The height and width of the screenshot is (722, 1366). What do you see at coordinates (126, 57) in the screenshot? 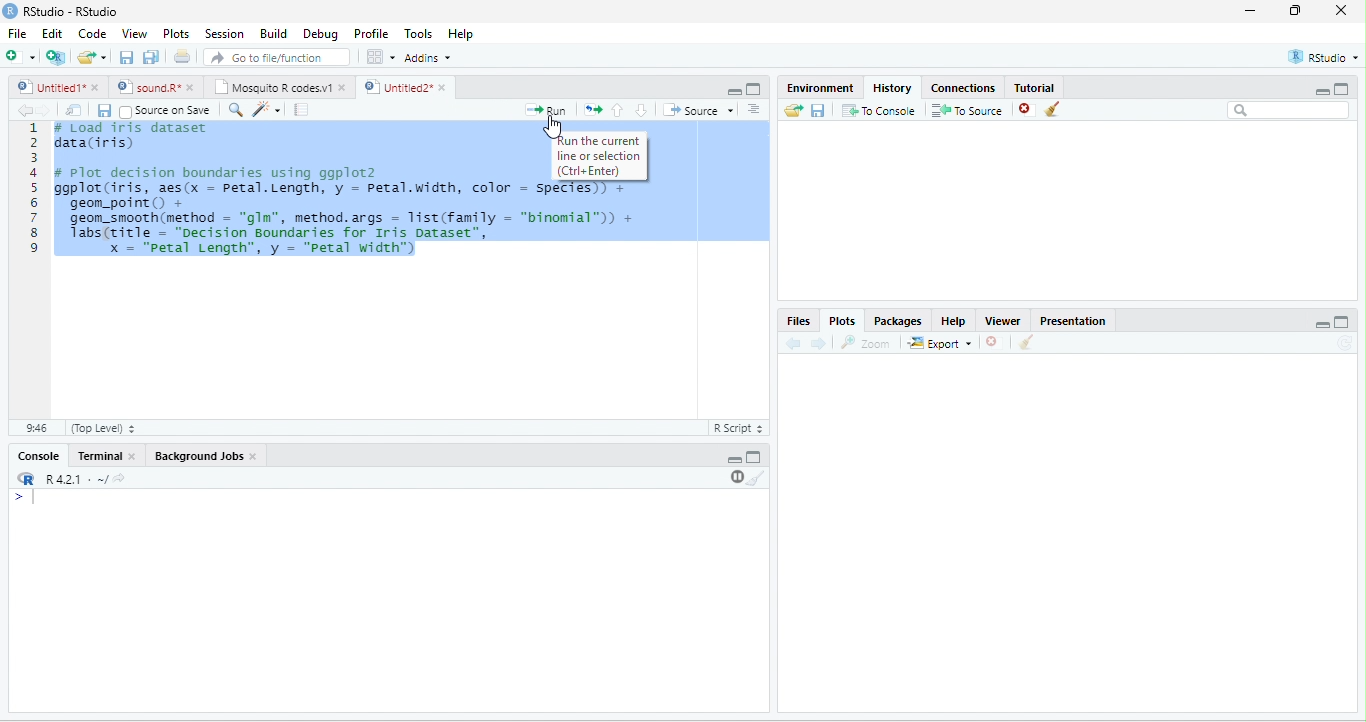
I see `save` at bounding box center [126, 57].